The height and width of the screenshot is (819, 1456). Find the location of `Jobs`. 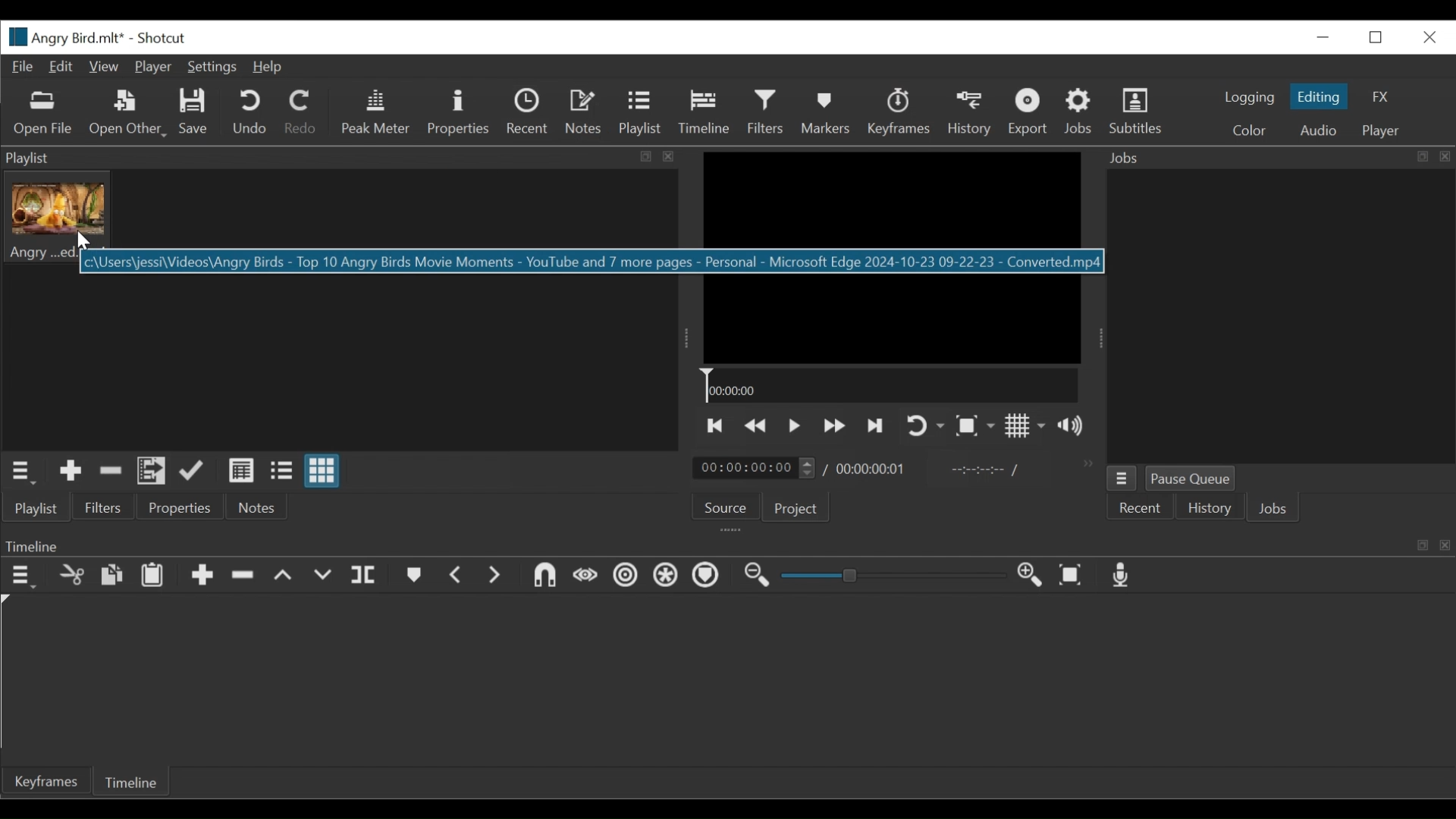

Jobs is located at coordinates (1081, 111).